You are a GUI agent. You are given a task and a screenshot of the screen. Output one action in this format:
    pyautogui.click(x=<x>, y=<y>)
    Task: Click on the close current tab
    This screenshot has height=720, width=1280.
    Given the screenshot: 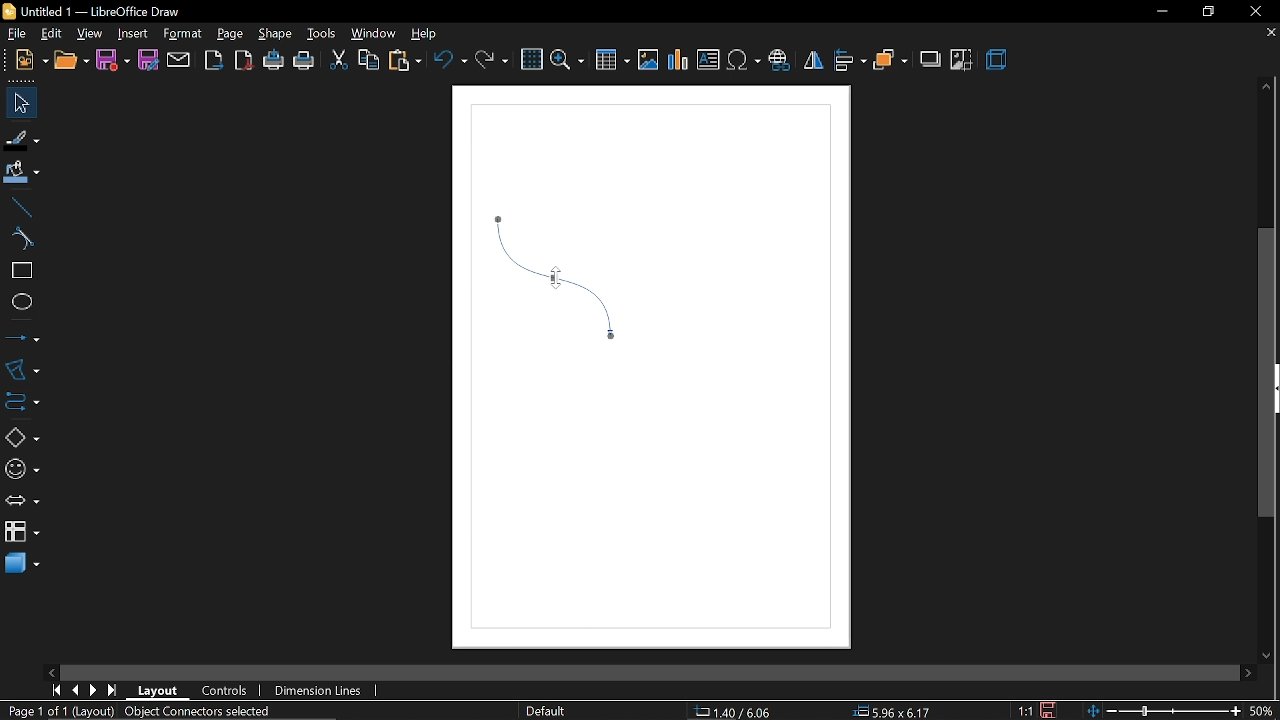 What is the action you would take?
    pyautogui.click(x=1270, y=37)
    